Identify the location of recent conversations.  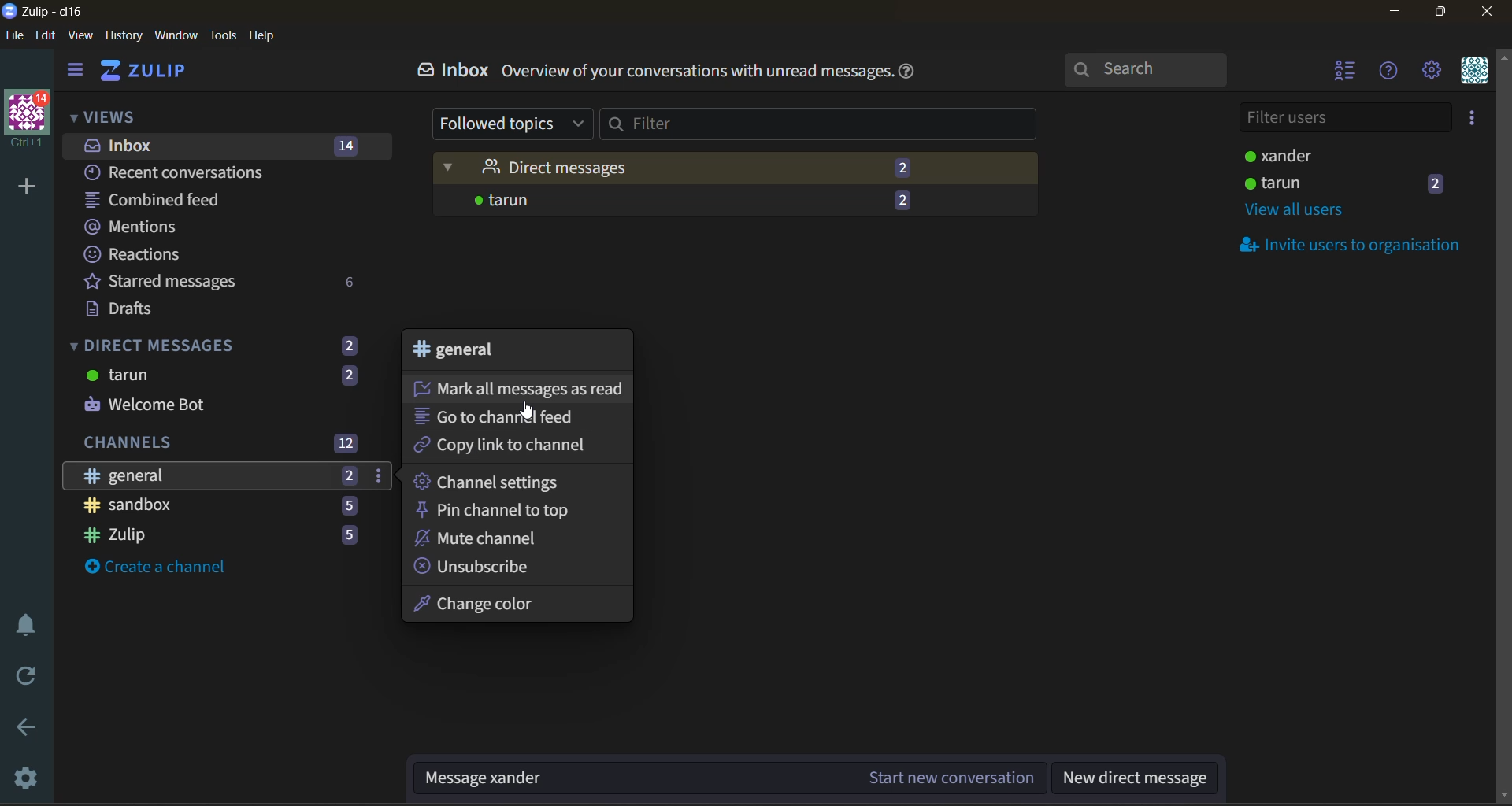
(192, 172).